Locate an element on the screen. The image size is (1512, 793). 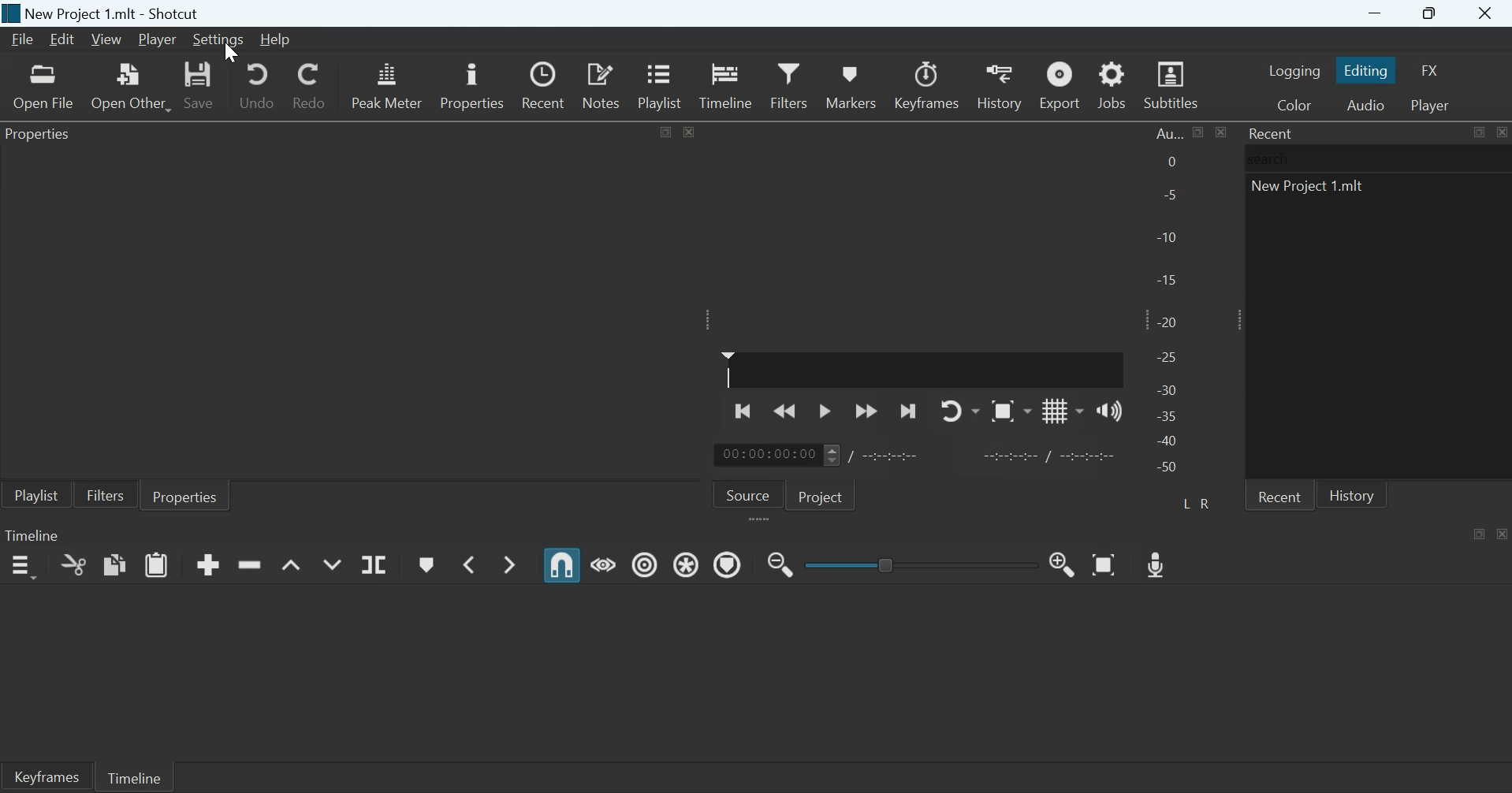
Skip to the previous point is located at coordinates (745, 409).